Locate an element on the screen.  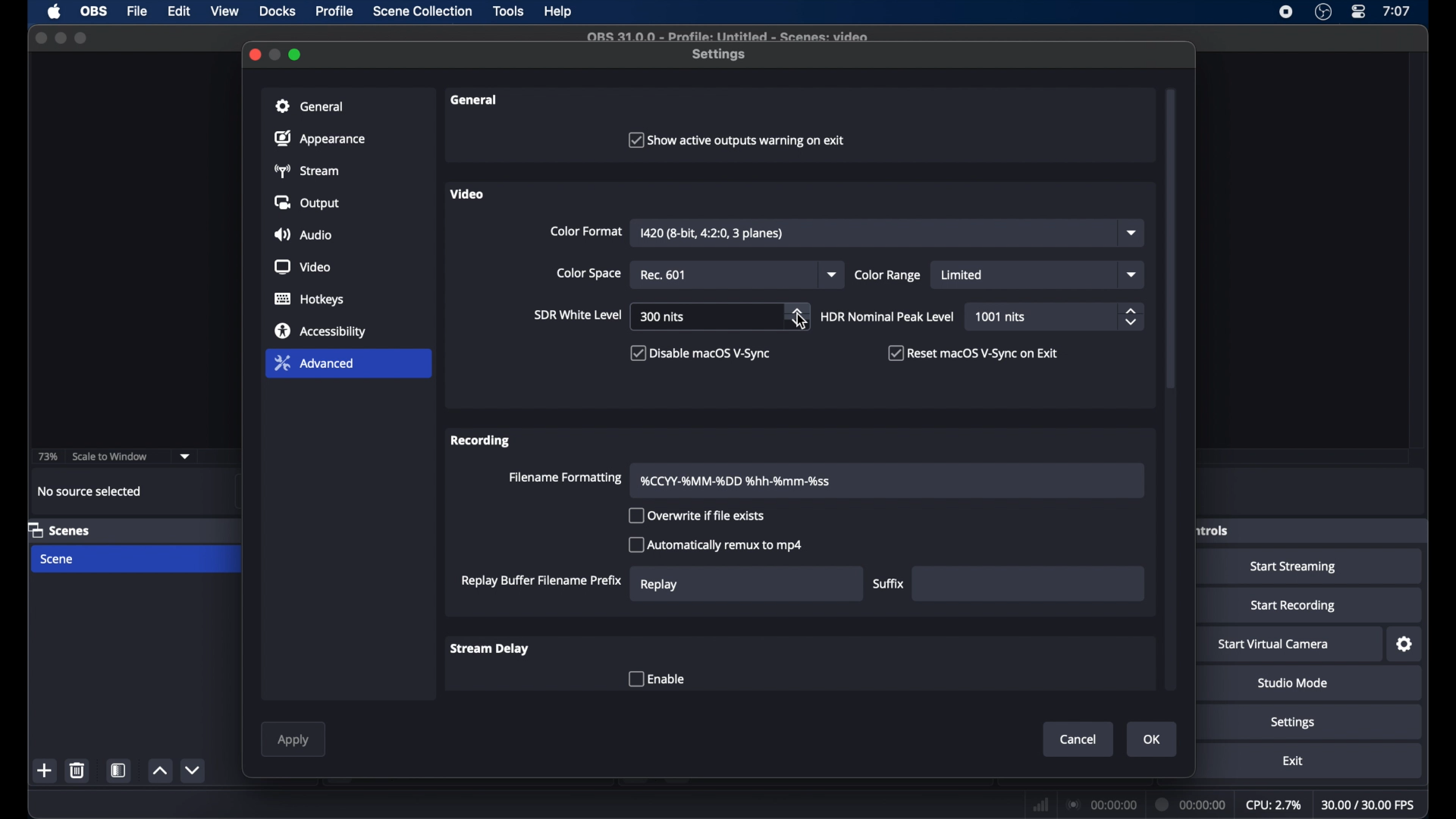
fps is located at coordinates (1369, 805).